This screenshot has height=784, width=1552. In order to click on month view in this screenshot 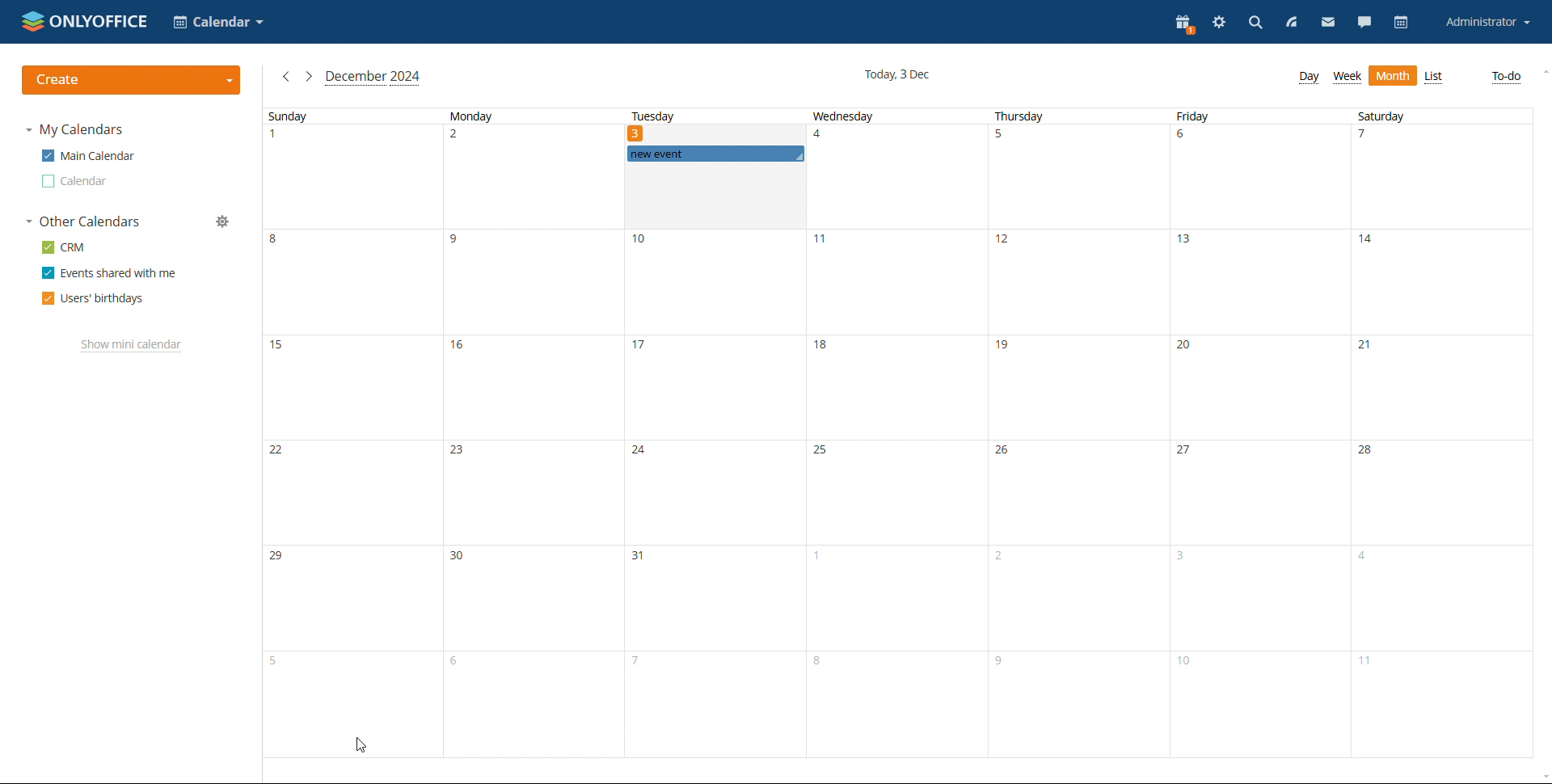, I will do `click(1393, 75)`.